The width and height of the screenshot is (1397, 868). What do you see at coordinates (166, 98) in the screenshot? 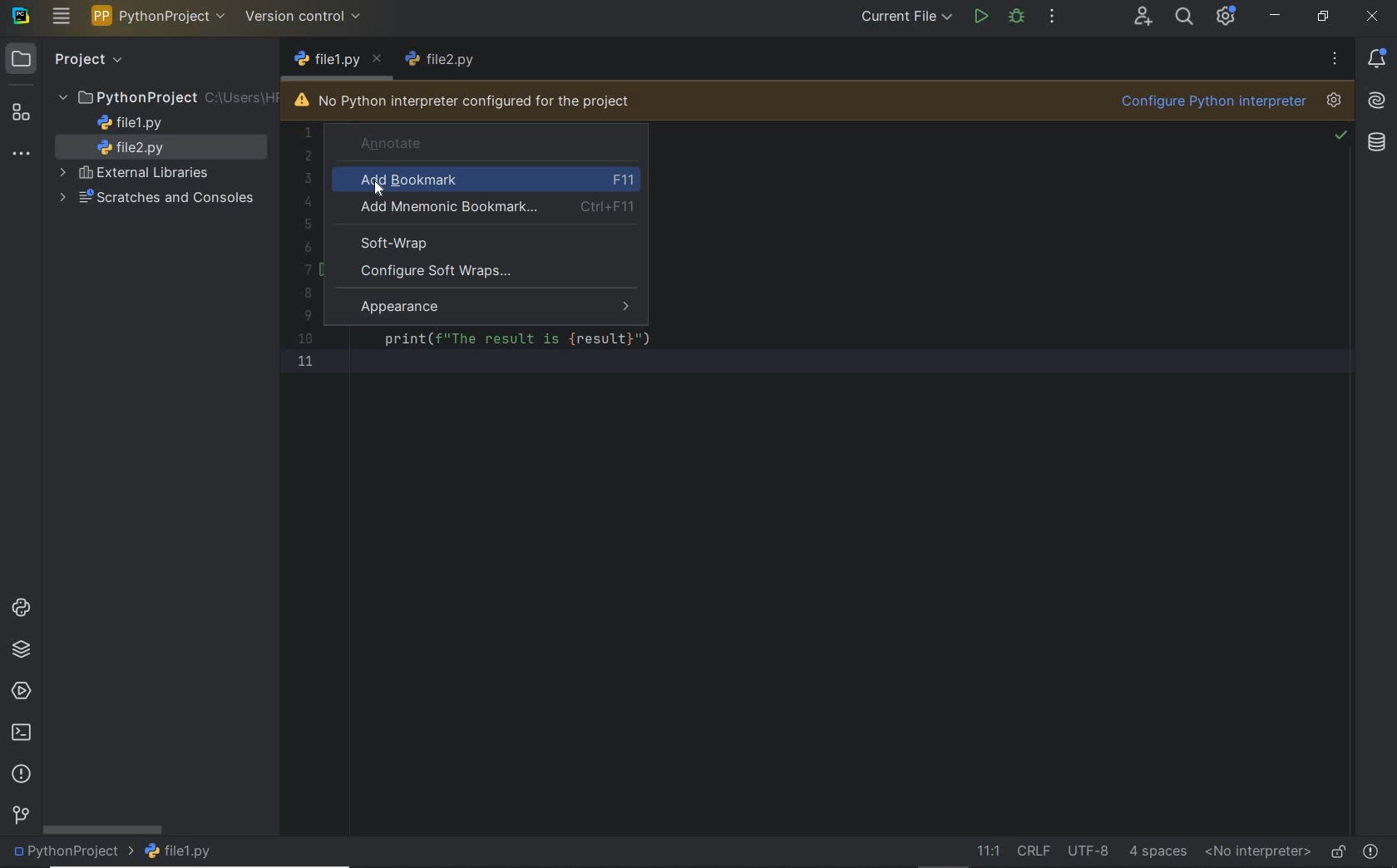
I see `project folder` at bounding box center [166, 98].